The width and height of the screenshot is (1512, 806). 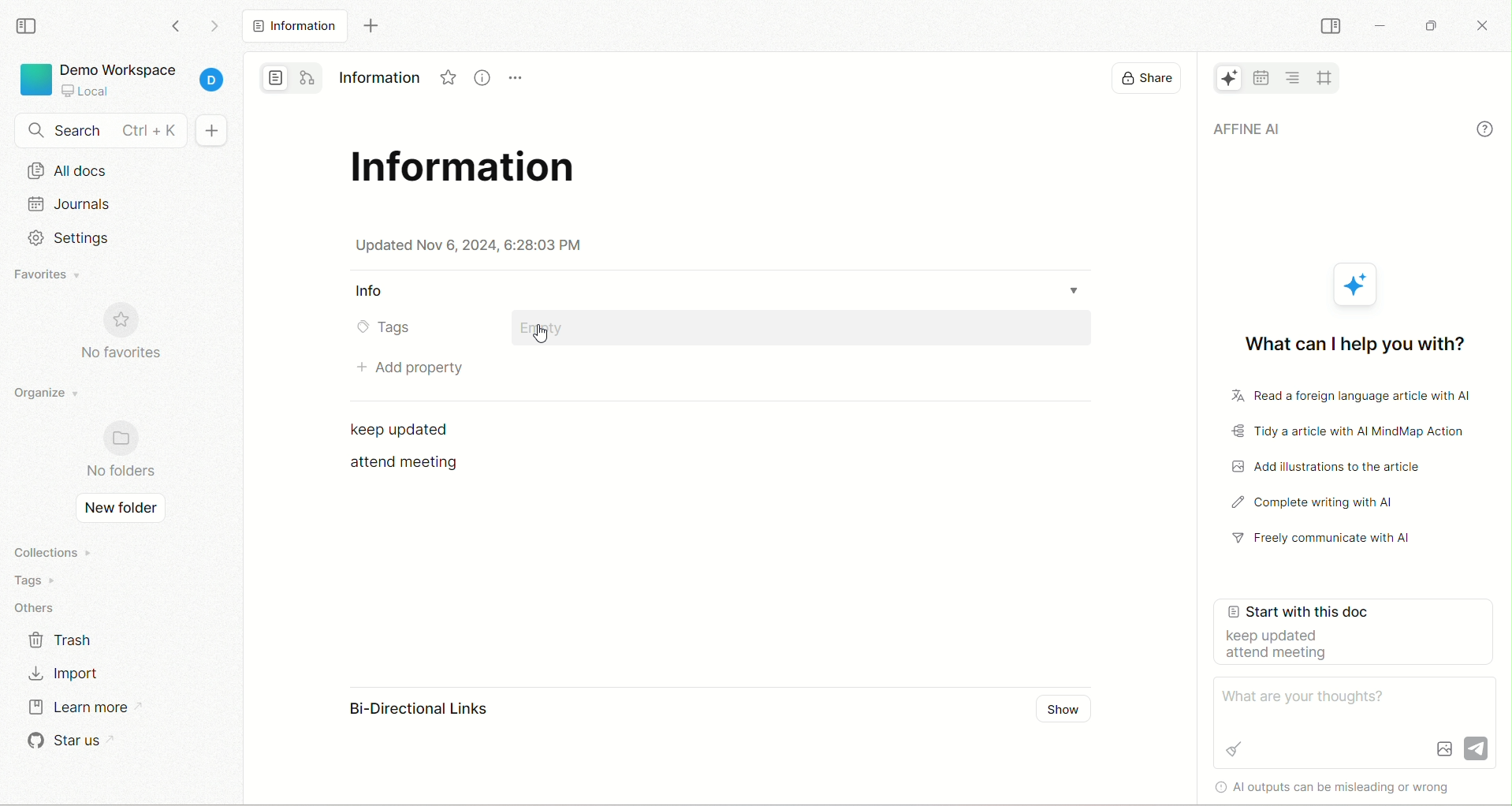 What do you see at coordinates (121, 510) in the screenshot?
I see `new folder` at bounding box center [121, 510].